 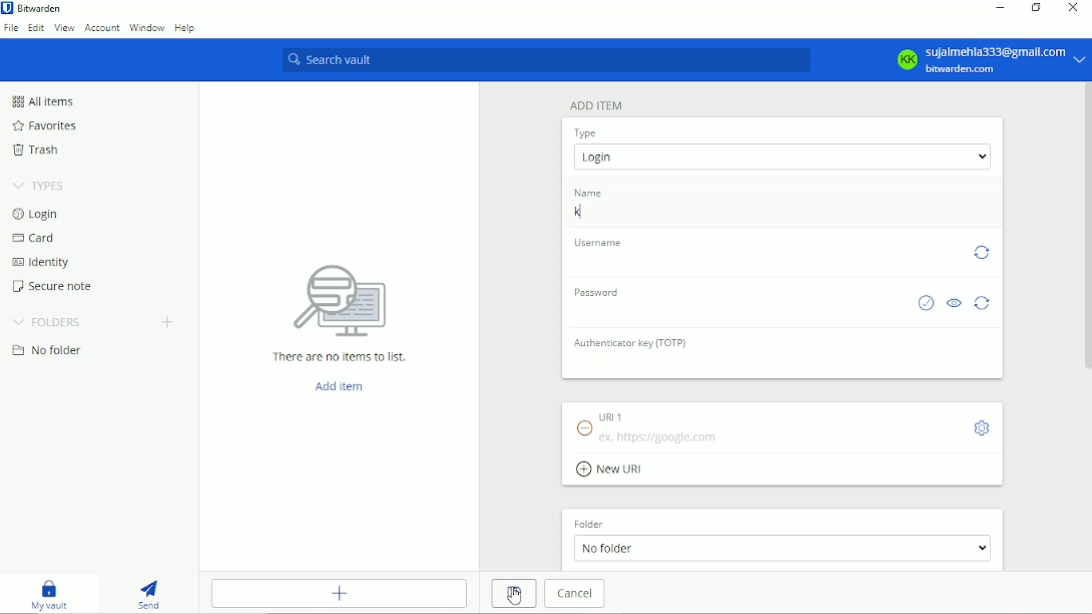 I want to click on Cursor, so click(x=514, y=596).